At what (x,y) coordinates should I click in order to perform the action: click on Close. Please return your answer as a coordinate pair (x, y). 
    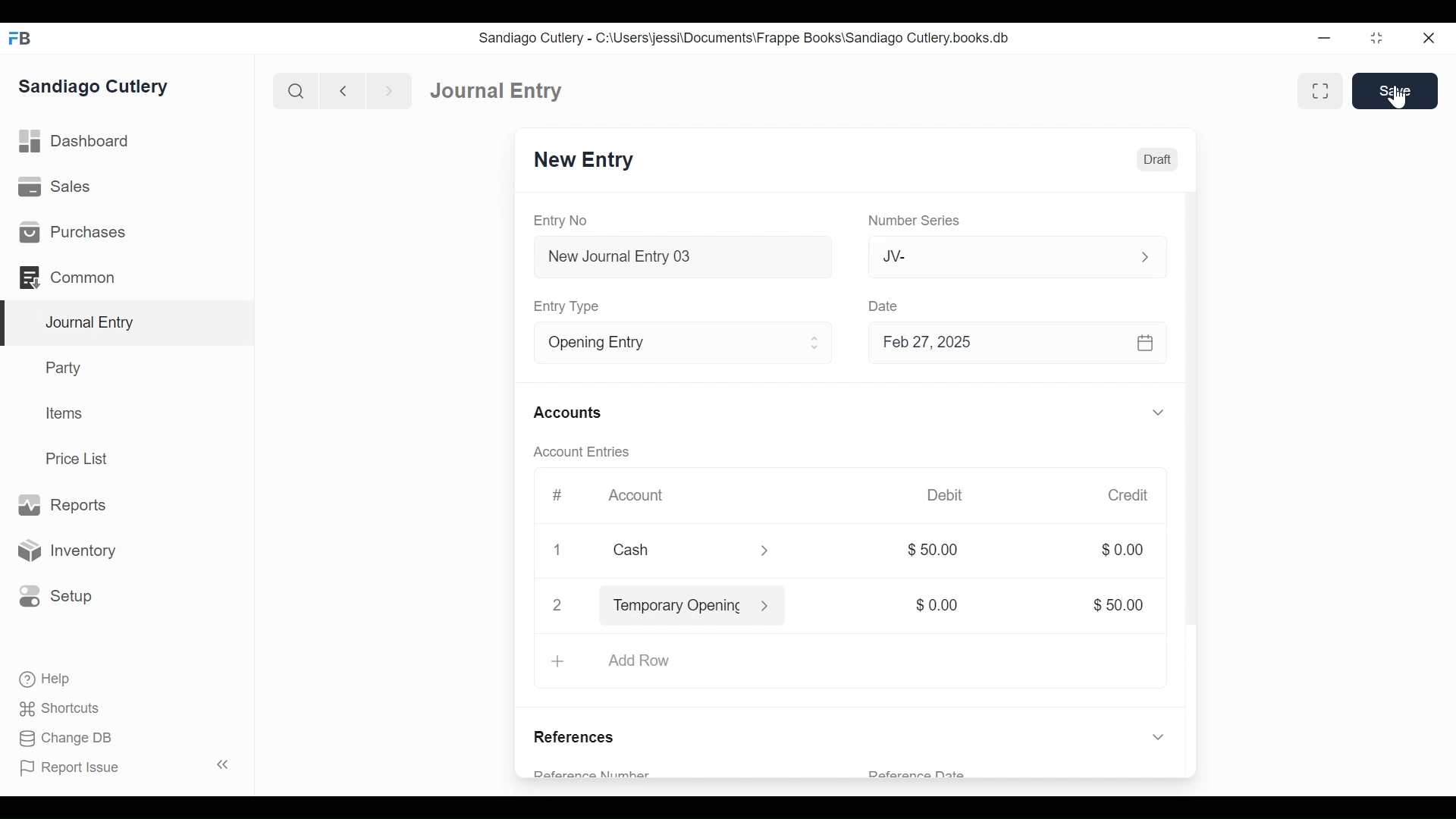
    Looking at the image, I should click on (557, 606).